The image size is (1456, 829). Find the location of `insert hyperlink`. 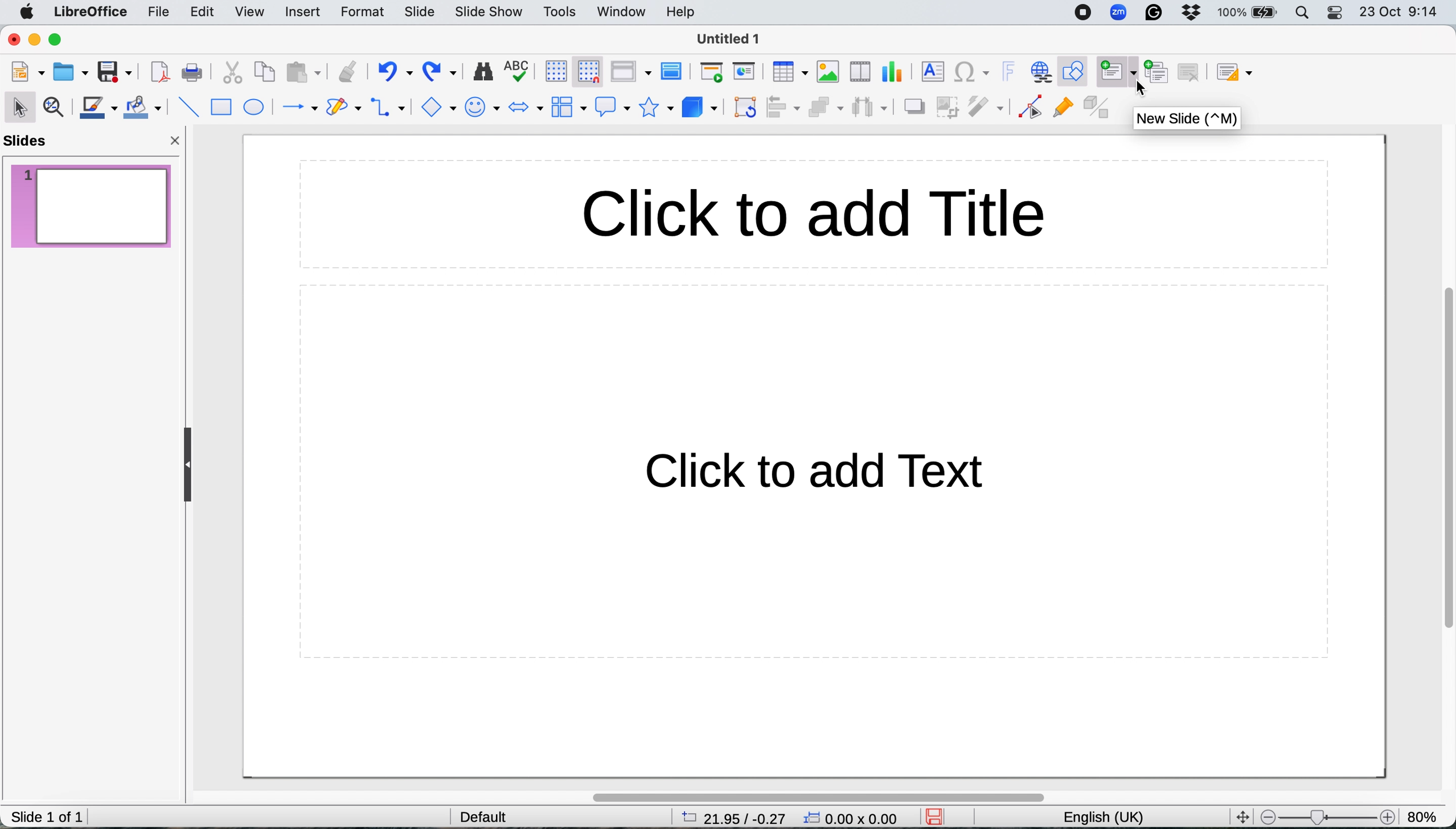

insert hyperlink is located at coordinates (1041, 72).